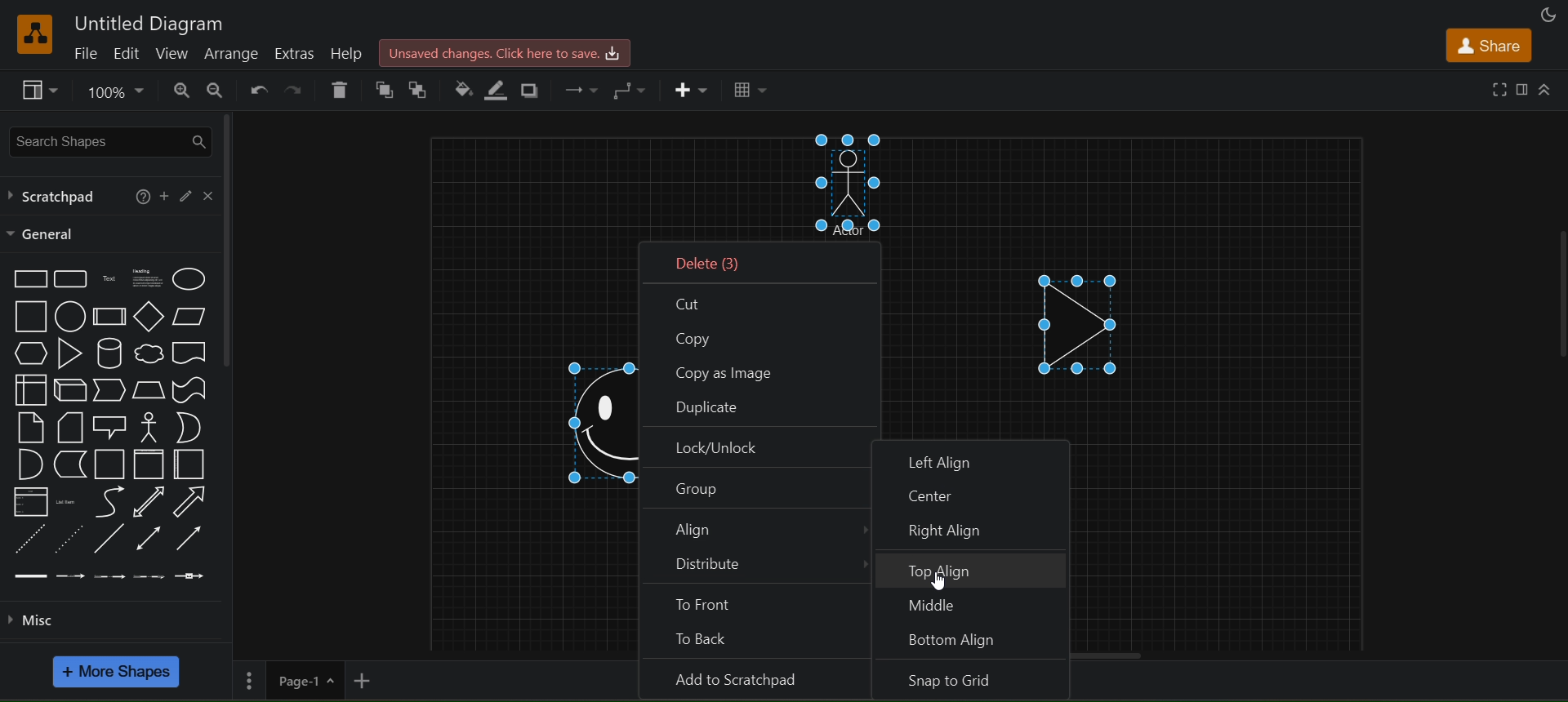 This screenshot has height=702, width=1568. What do you see at coordinates (287, 681) in the screenshot?
I see `page 1` at bounding box center [287, 681].